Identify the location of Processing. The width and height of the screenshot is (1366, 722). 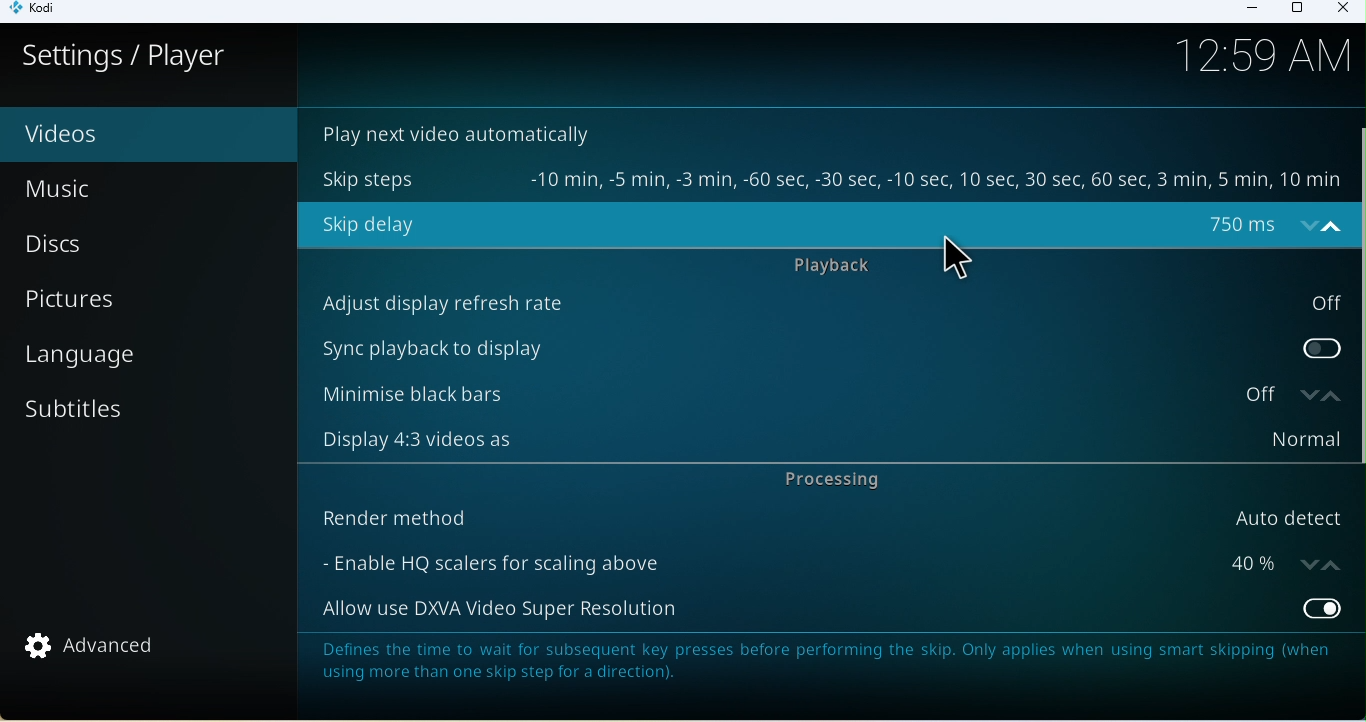
(844, 482).